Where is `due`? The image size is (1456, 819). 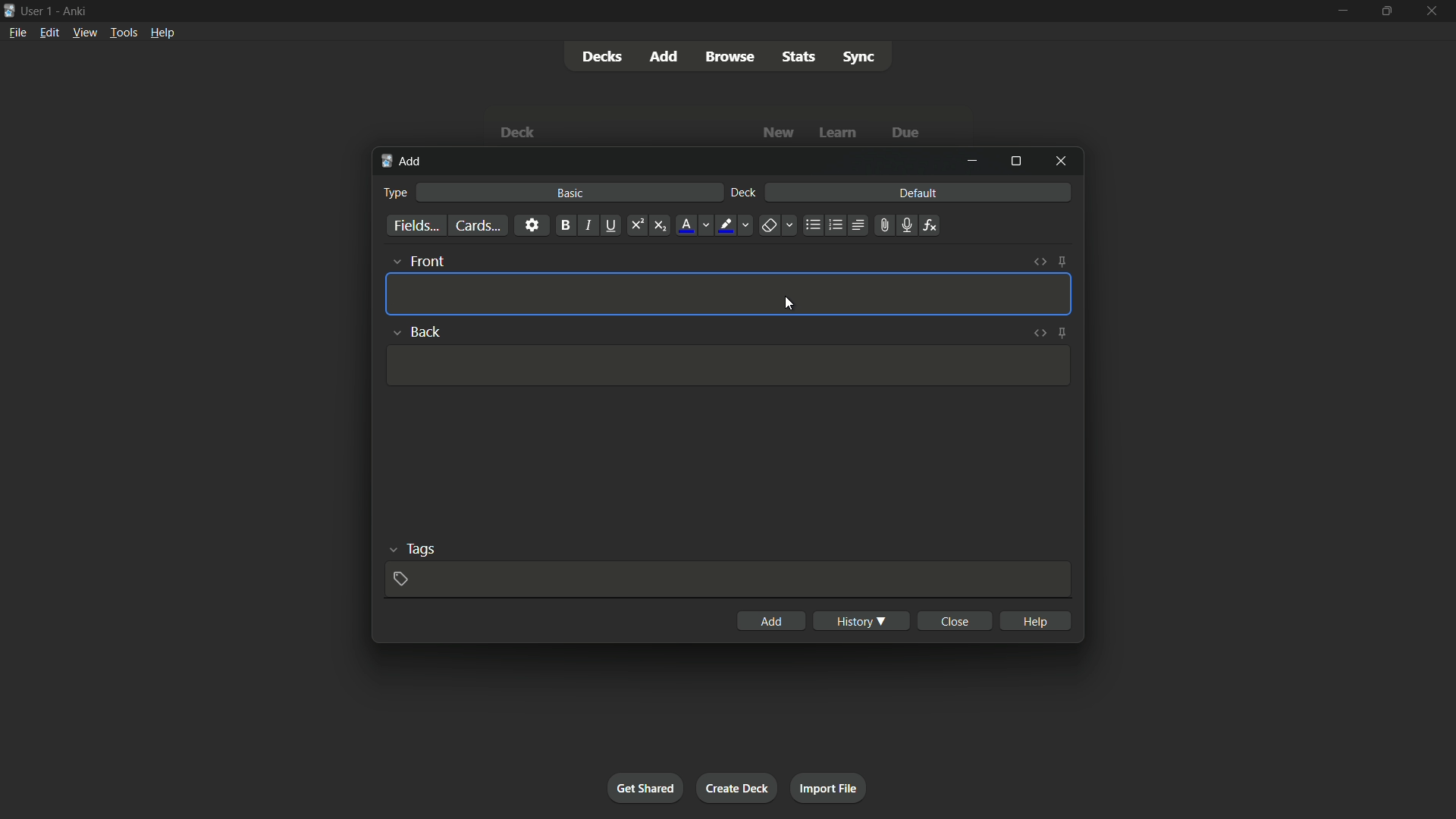 due is located at coordinates (906, 134).